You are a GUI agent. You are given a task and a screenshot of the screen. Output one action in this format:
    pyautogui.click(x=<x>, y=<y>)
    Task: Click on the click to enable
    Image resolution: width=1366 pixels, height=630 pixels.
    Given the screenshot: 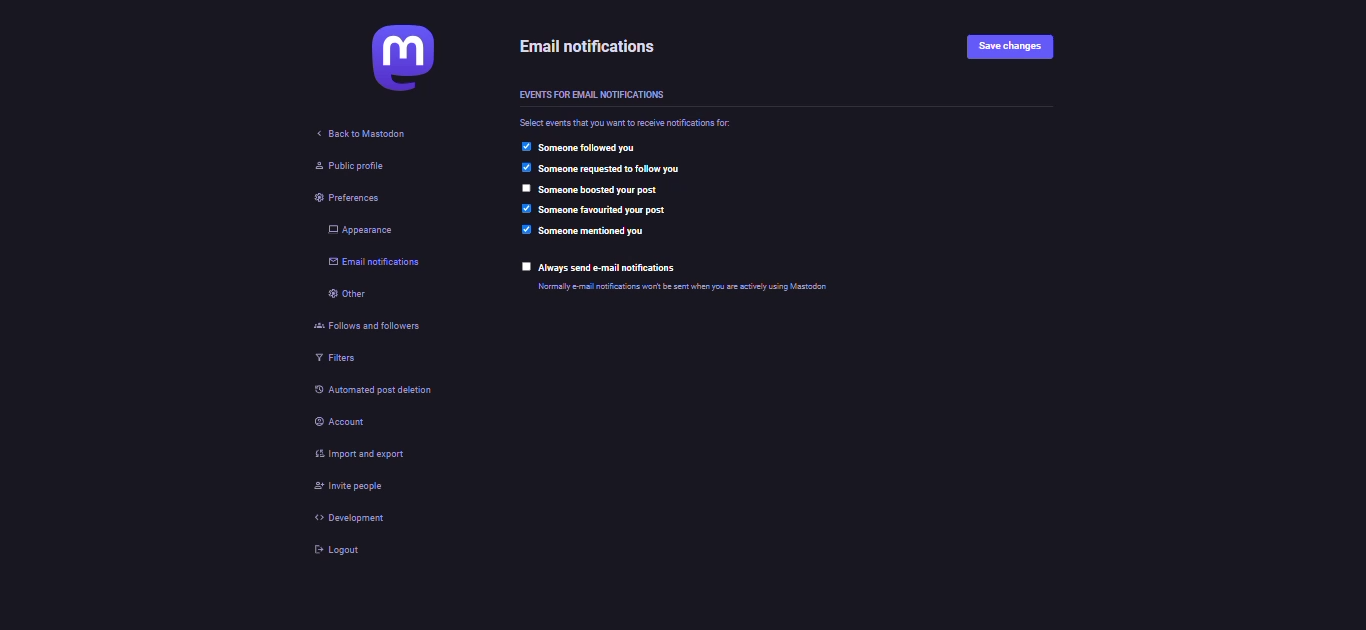 What is the action you would take?
    pyautogui.click(x=527, y=267)
    